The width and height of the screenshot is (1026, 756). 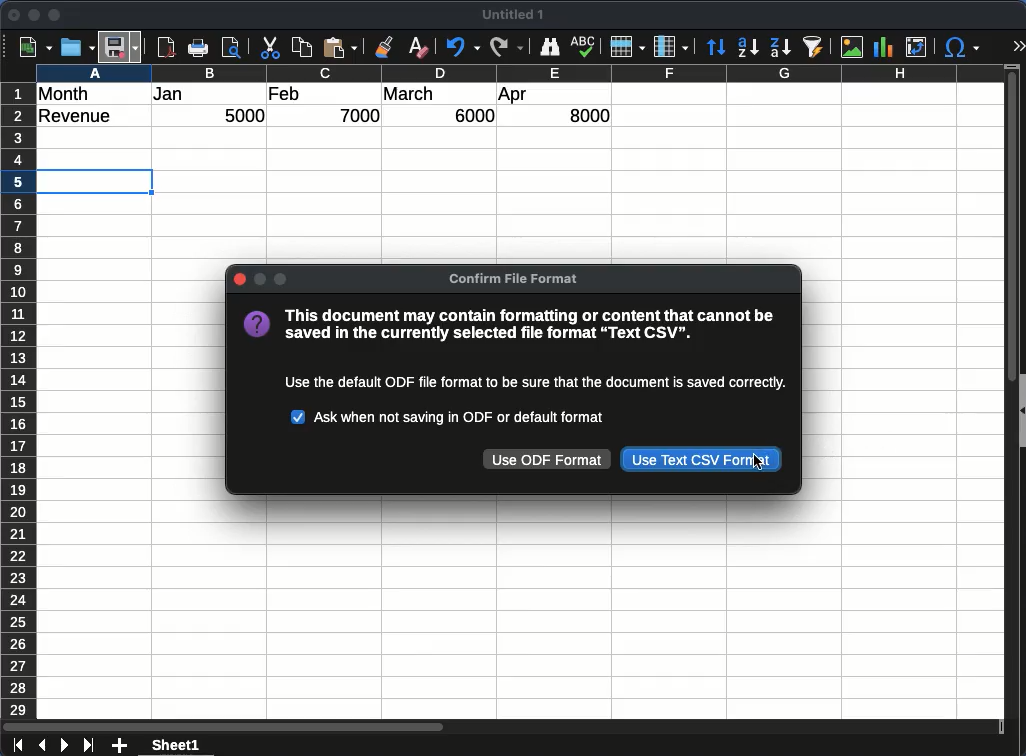 I want to click on pivot table, so click(x=915, y=48).